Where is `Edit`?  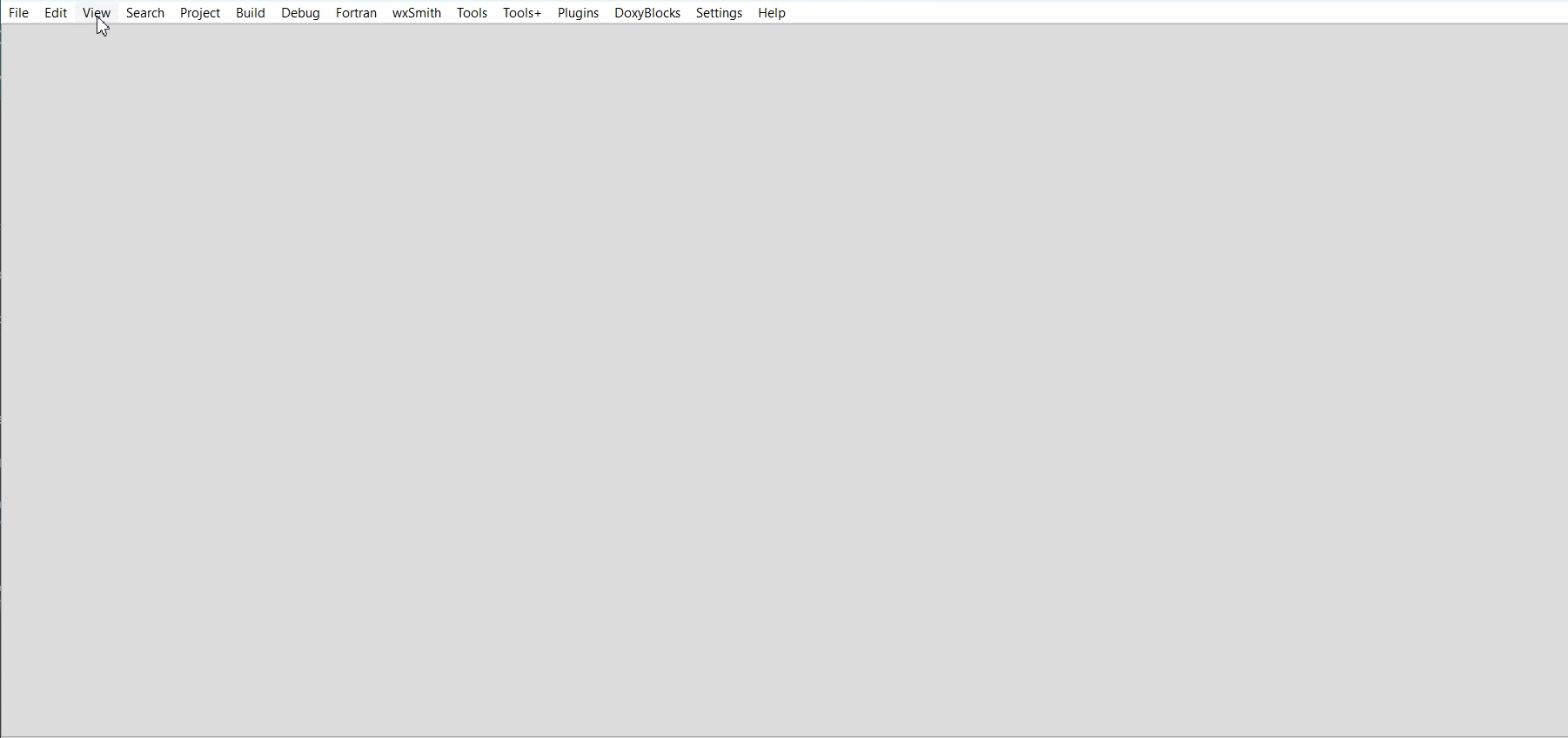
Edit is located at coordinates (56, 12).